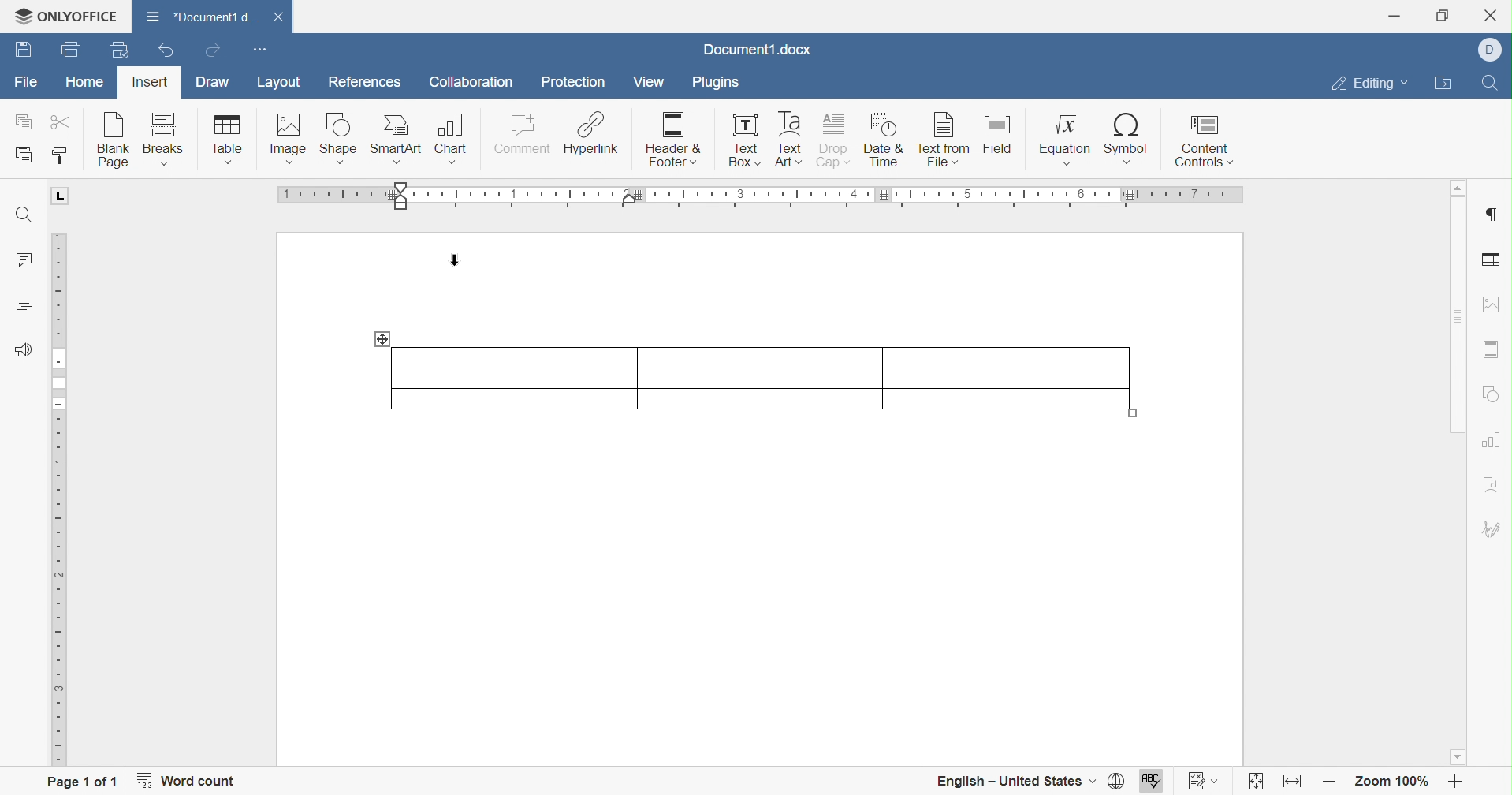 The image size is (1512, 795). Describe the element at coordinates (191, 780) in the screenshot. I see `Word count` at that location.